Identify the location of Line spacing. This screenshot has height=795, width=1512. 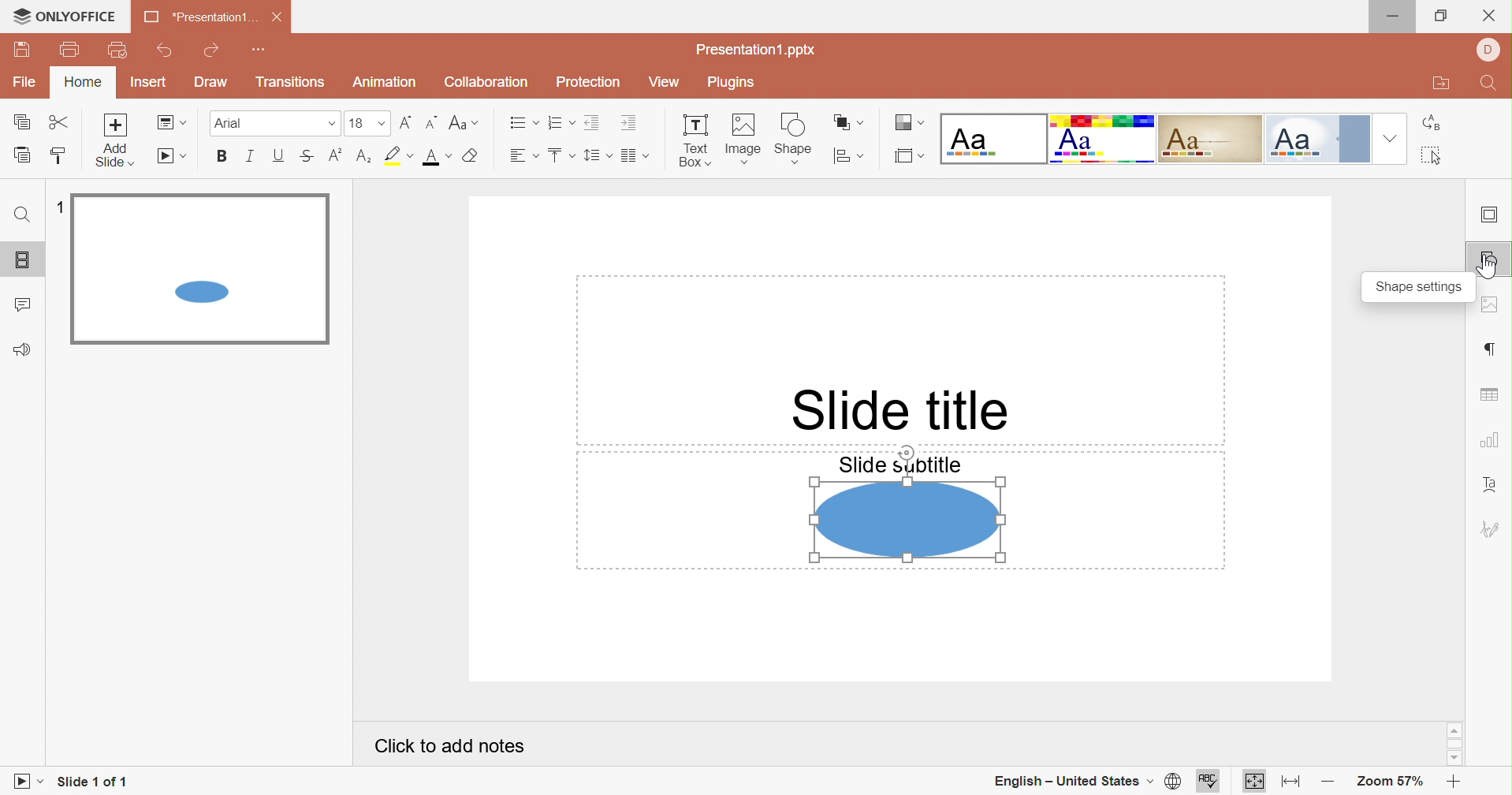
(597, 155).